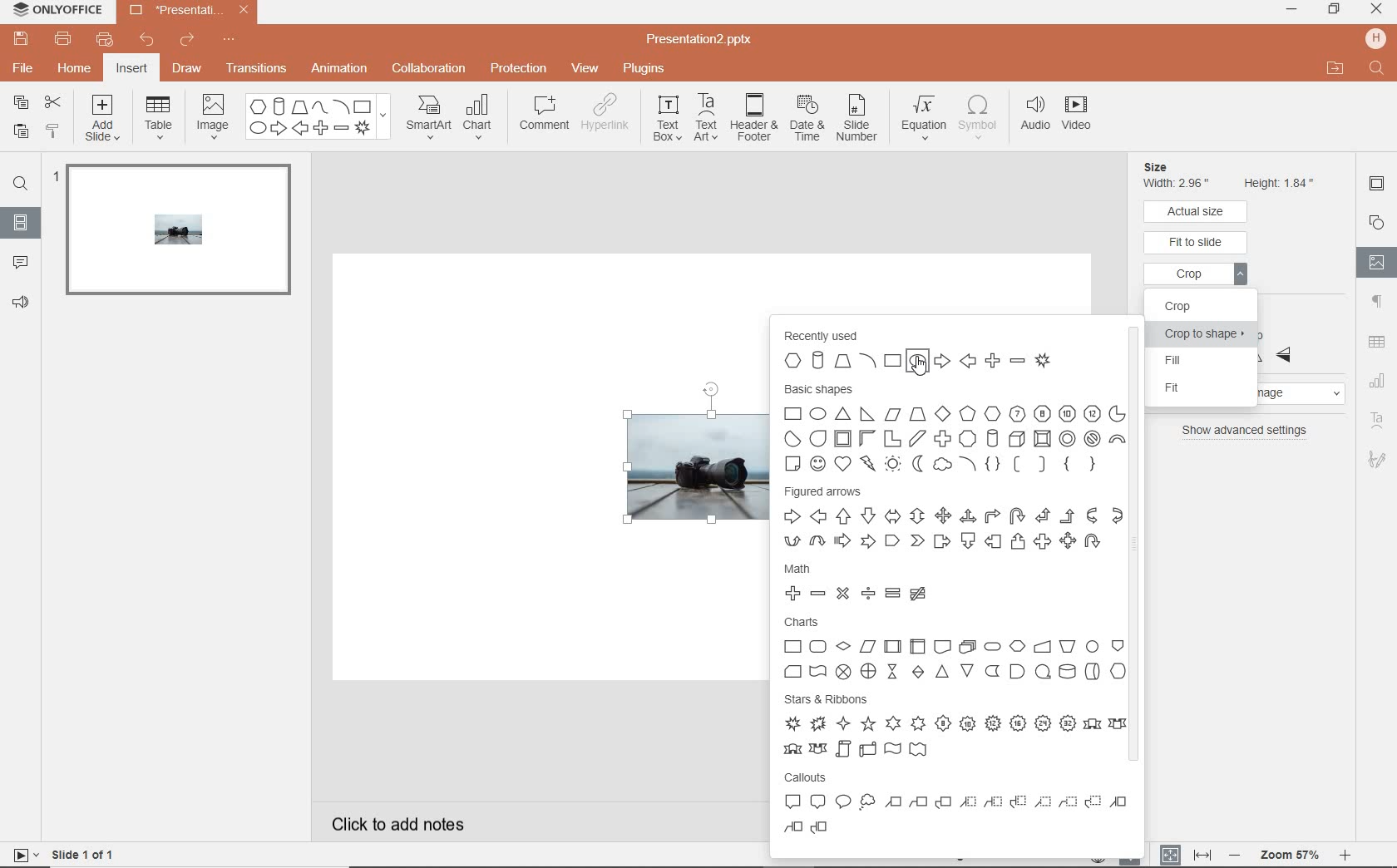  I want to click on save, so click(22, 39).